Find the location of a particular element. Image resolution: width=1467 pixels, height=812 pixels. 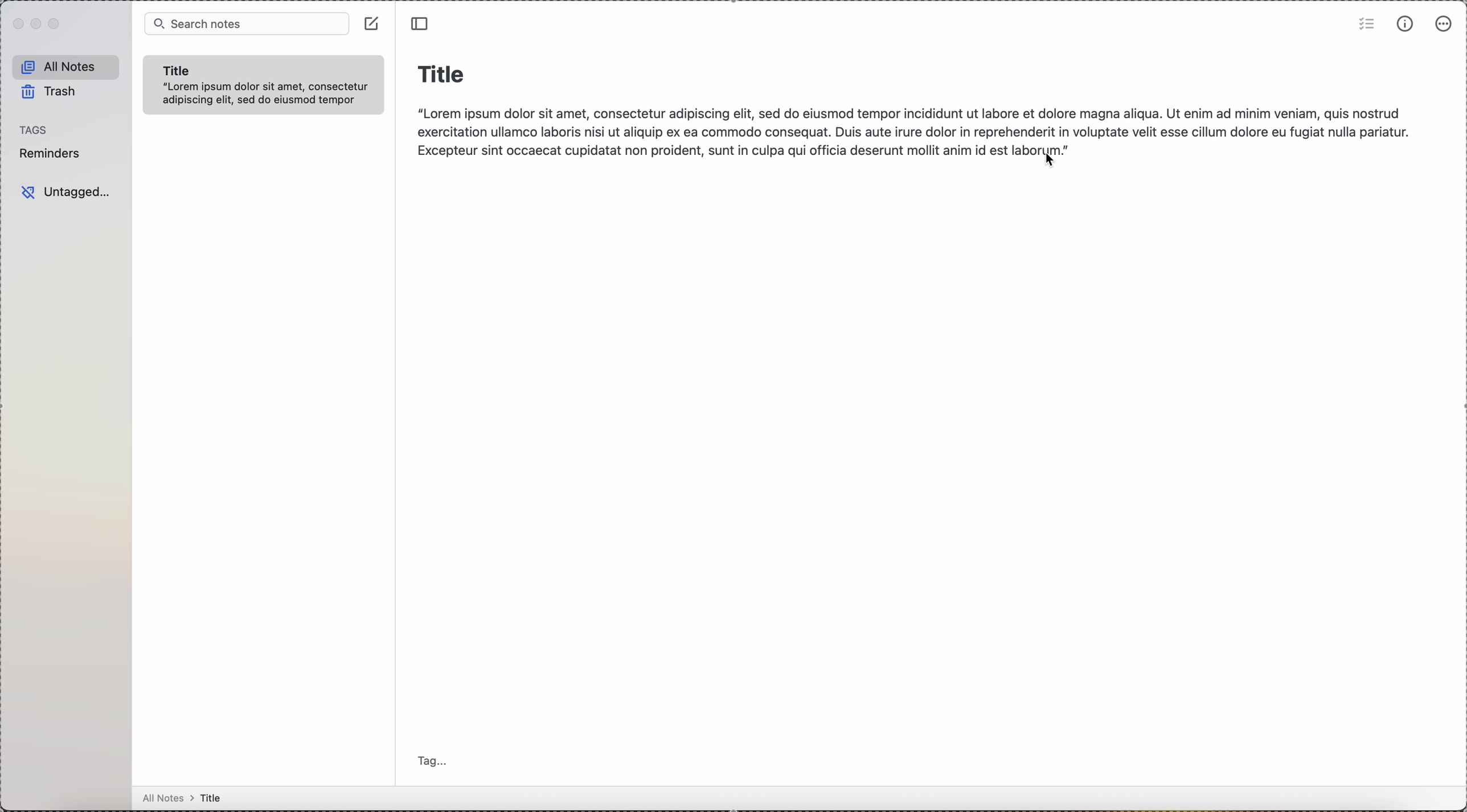

body text is located at coordinates (909, 128).